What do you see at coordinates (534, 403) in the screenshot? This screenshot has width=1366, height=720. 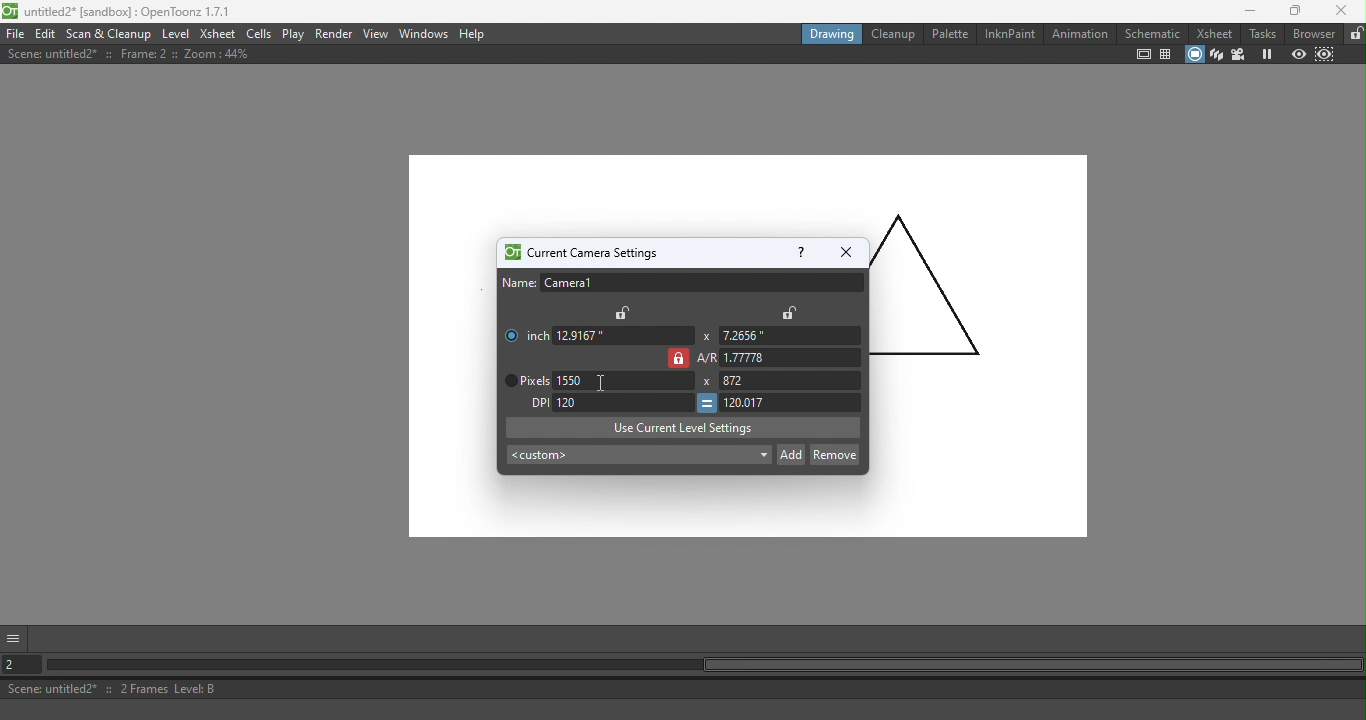 I see `DPI` at bounding box center [534, 403].